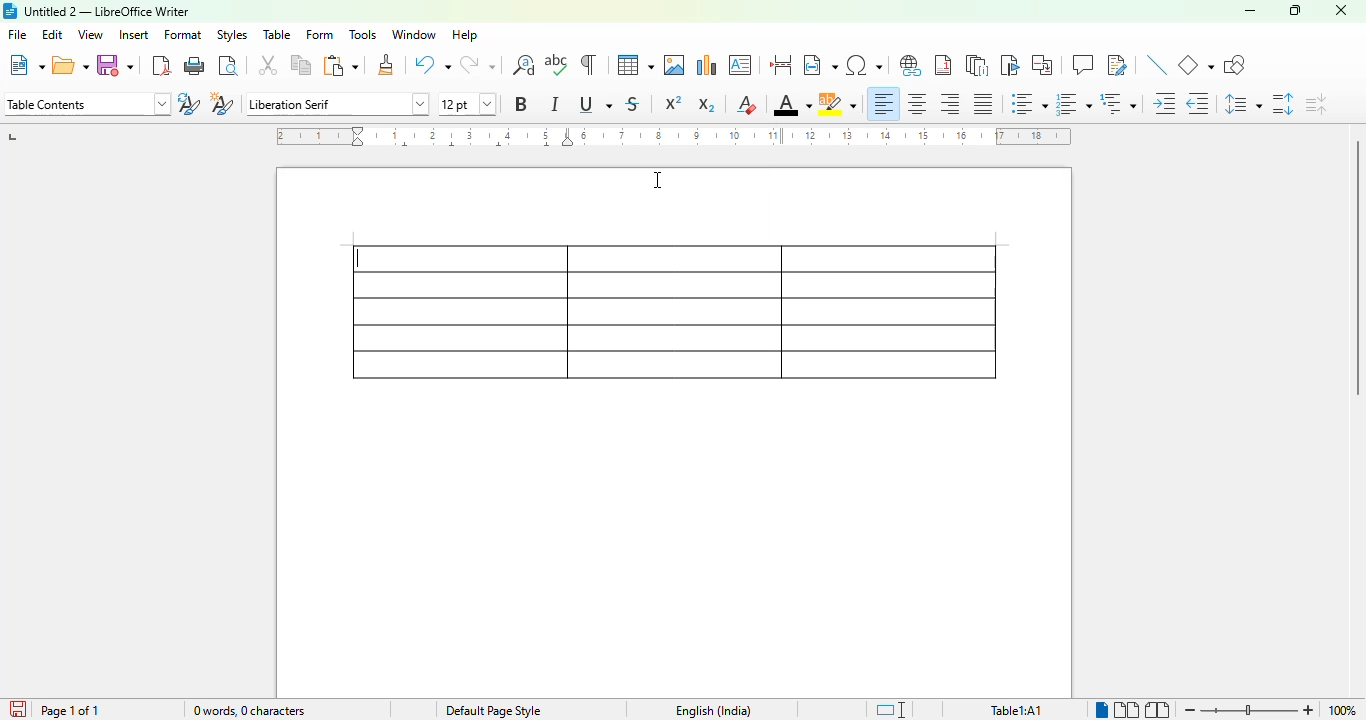 This screenshot has height=720, width=1366. Describe the element at coordinates (339, 65) in the screenshot. I see `paste` at that location.